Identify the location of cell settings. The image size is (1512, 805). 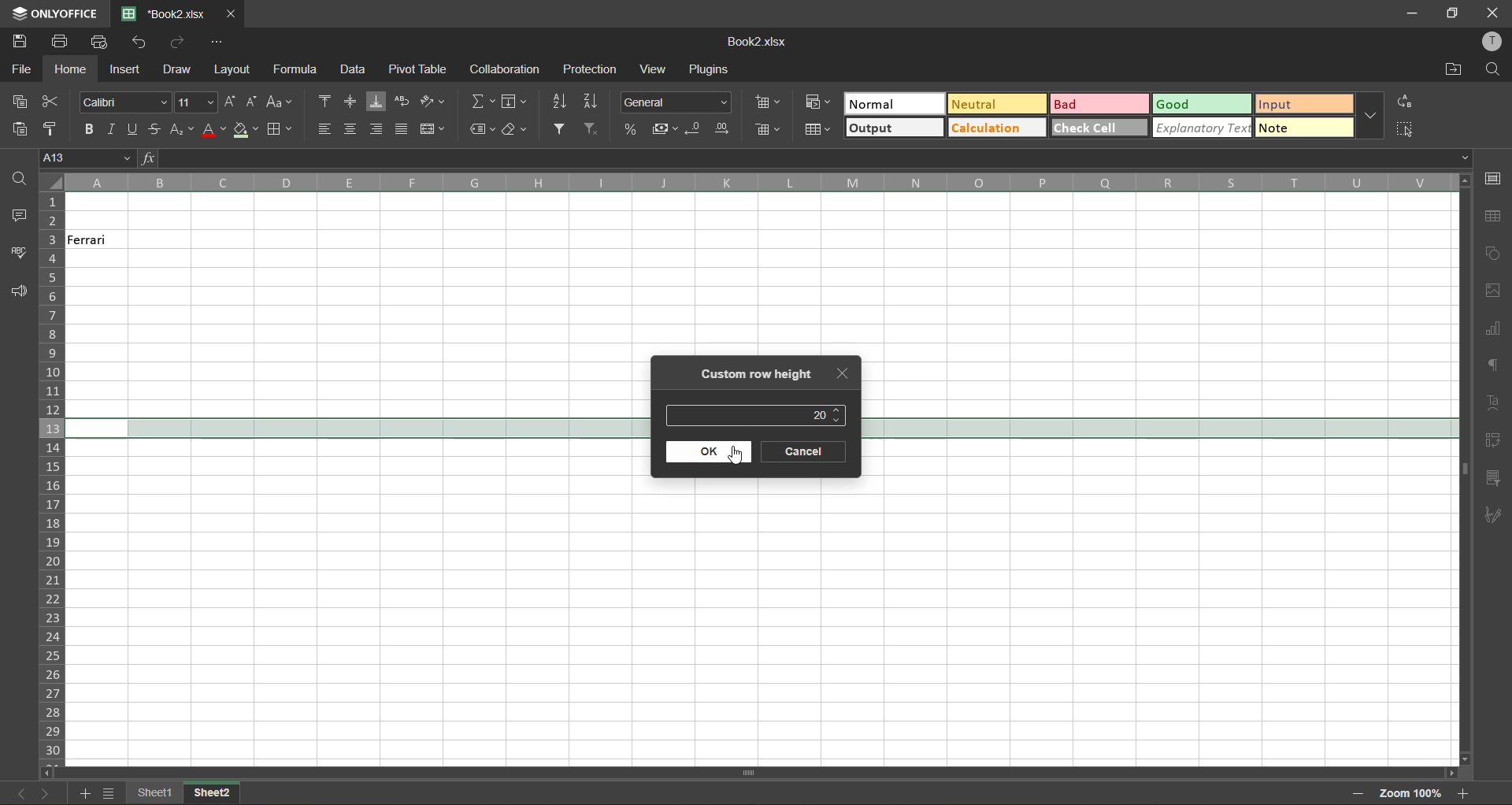
(1497, 177).